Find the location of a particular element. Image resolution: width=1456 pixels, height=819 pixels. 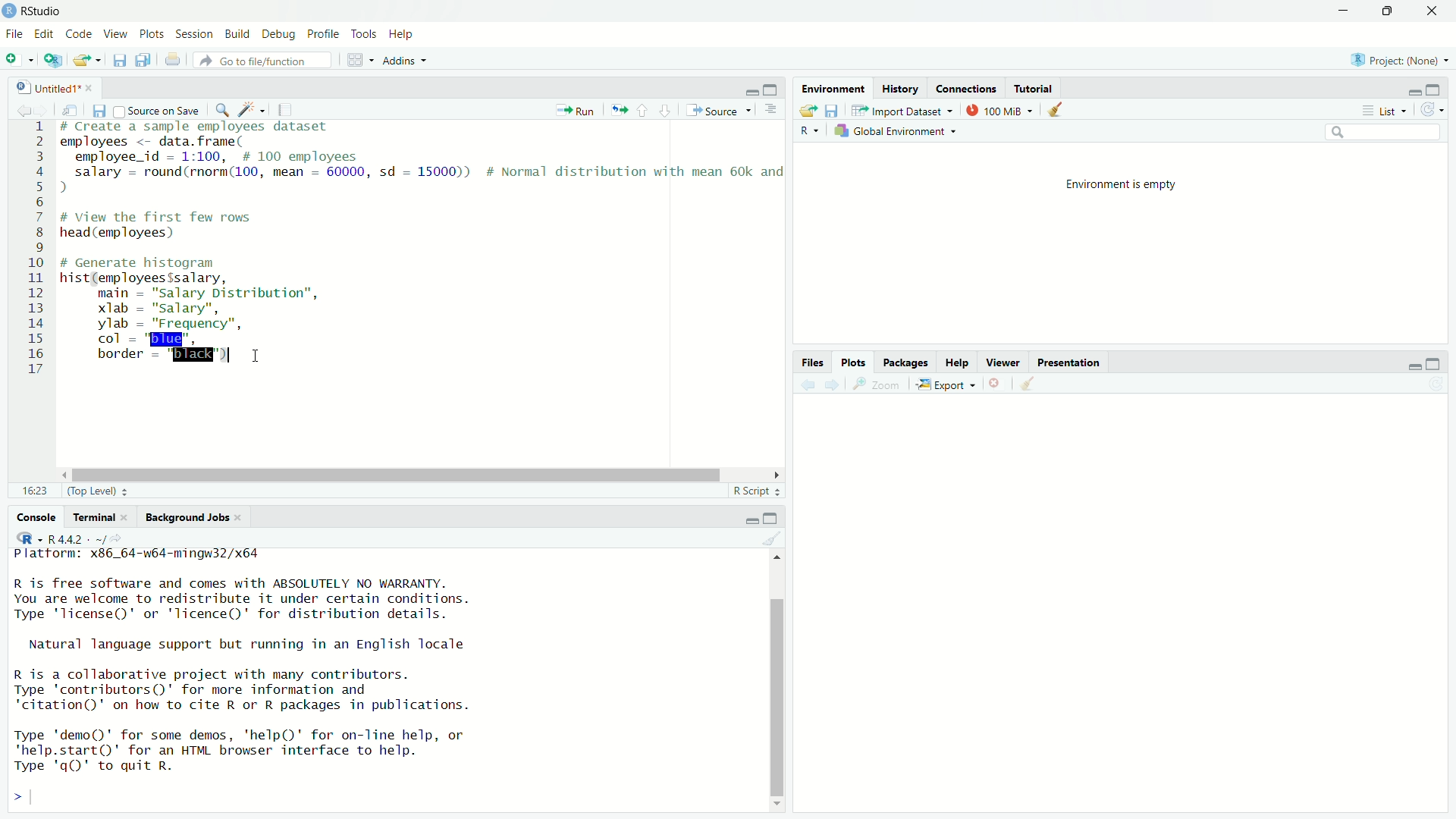

backword is located at coordinates (21, 110).